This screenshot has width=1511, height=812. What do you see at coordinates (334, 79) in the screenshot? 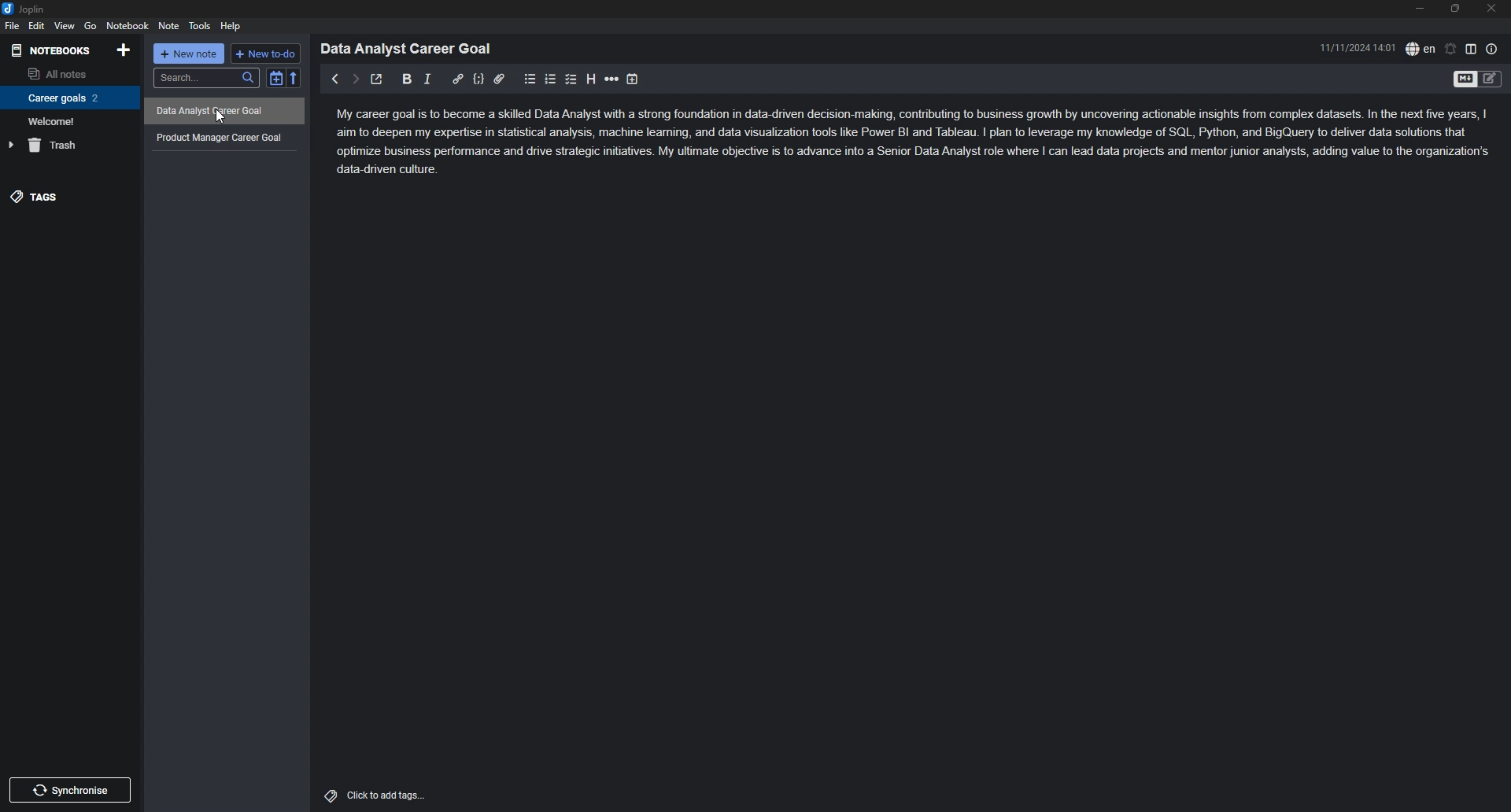
I see `previous` at bounding box center [334, 79].